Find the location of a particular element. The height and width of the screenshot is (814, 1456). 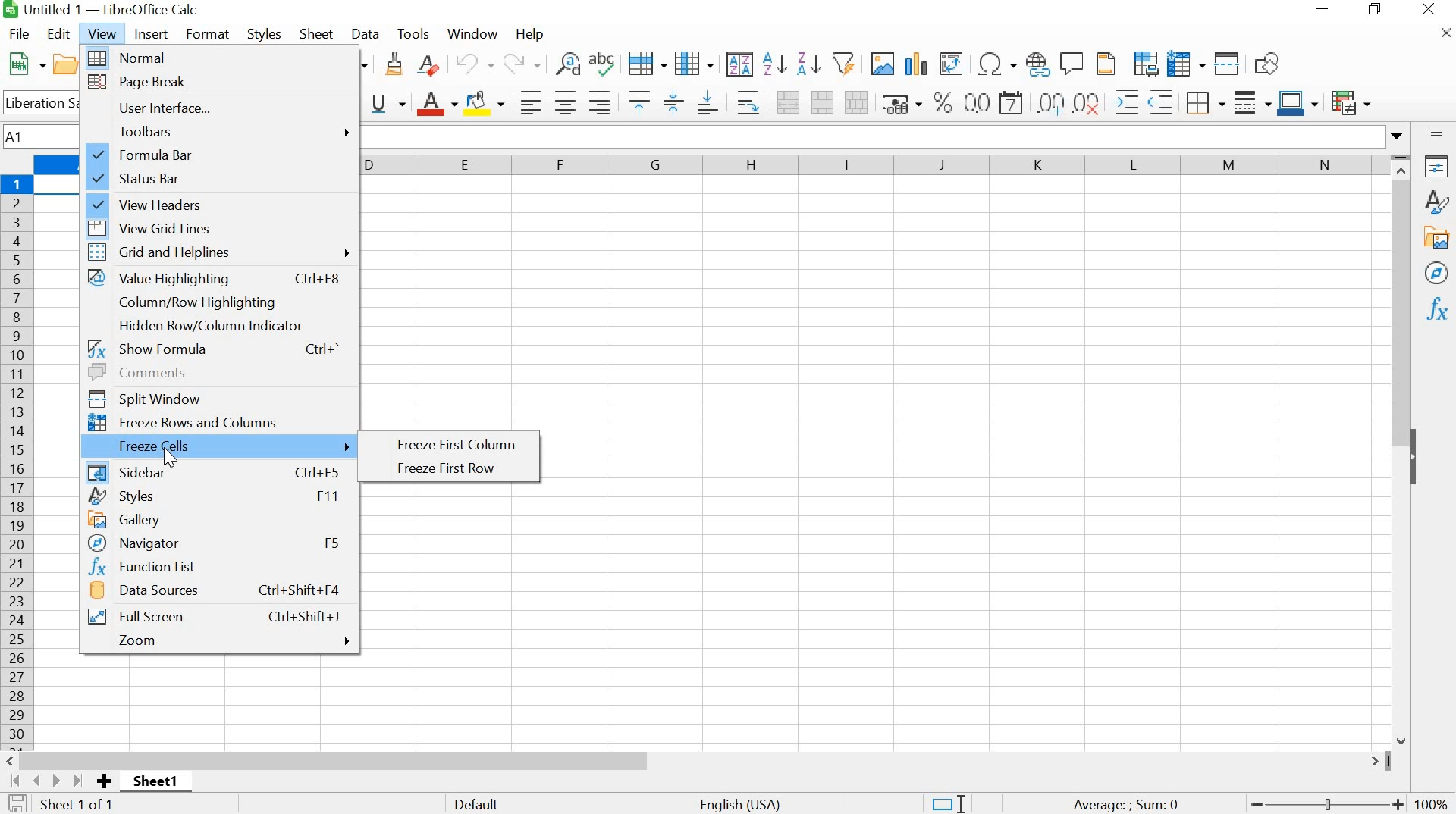

cursor is located at coordinates (176, 461).